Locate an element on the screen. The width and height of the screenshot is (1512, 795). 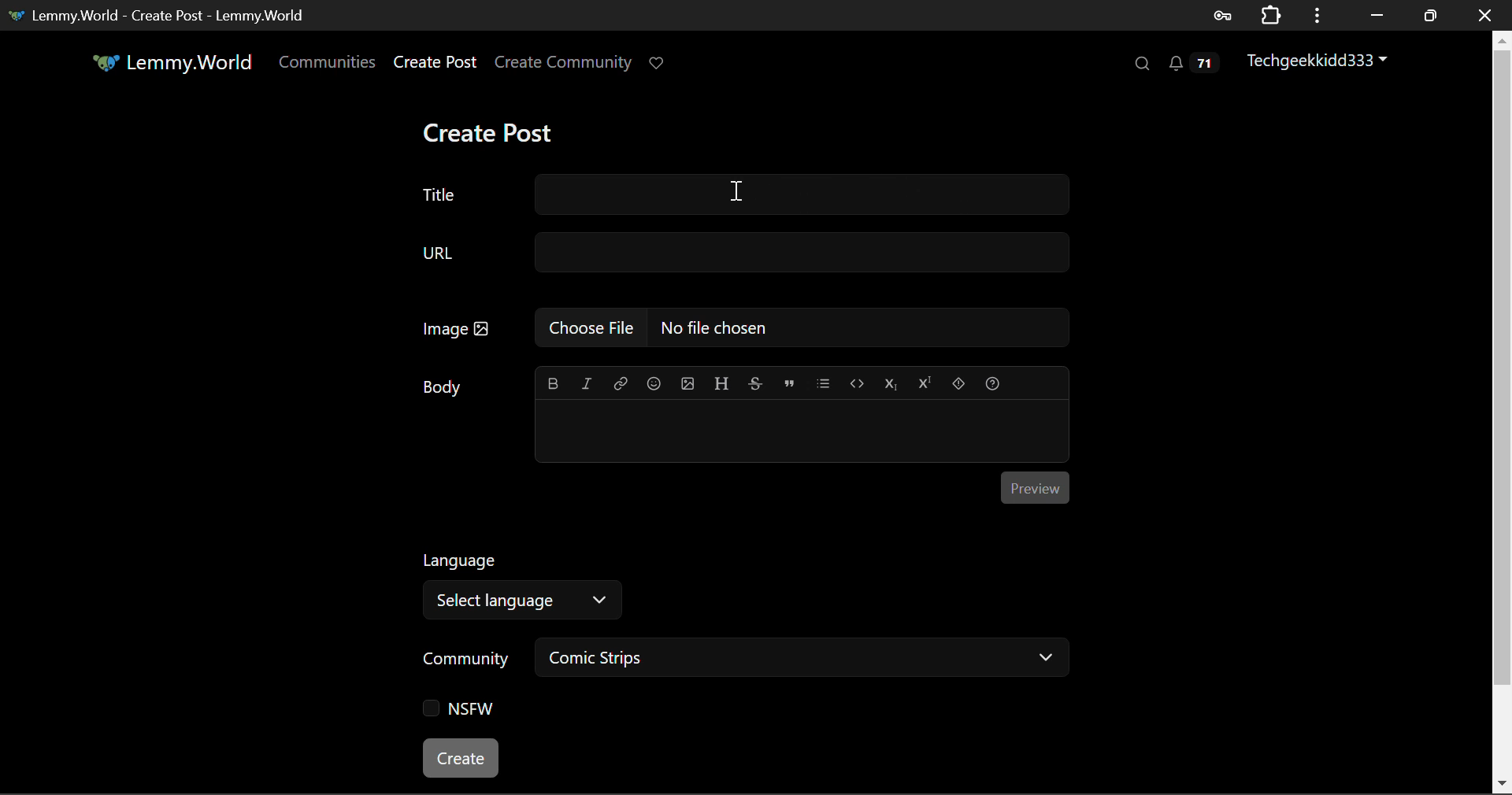
Preview is located at coordinates (1036, 485).